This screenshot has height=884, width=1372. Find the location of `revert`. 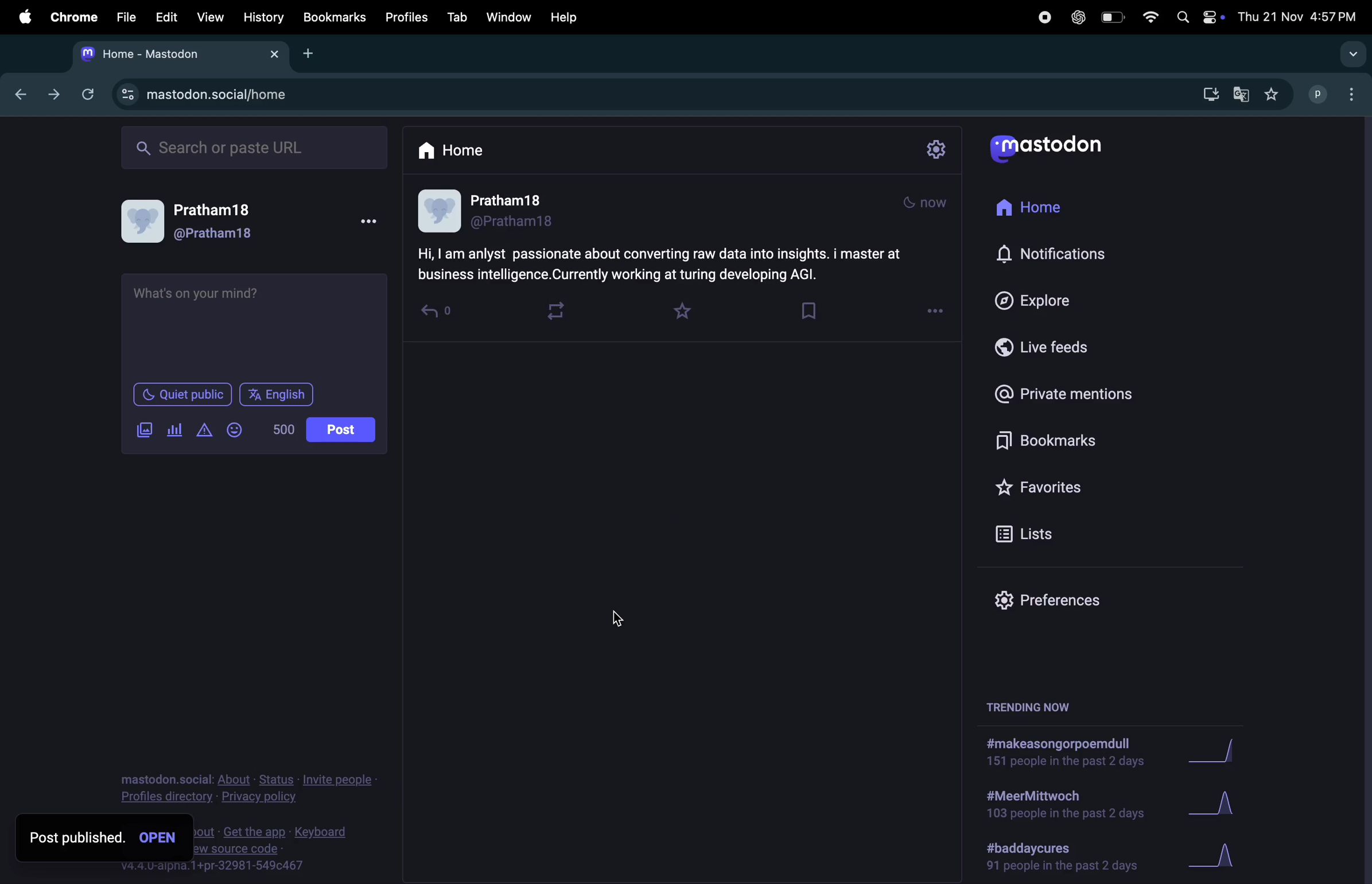

revert is located at coordinates (437, 312).